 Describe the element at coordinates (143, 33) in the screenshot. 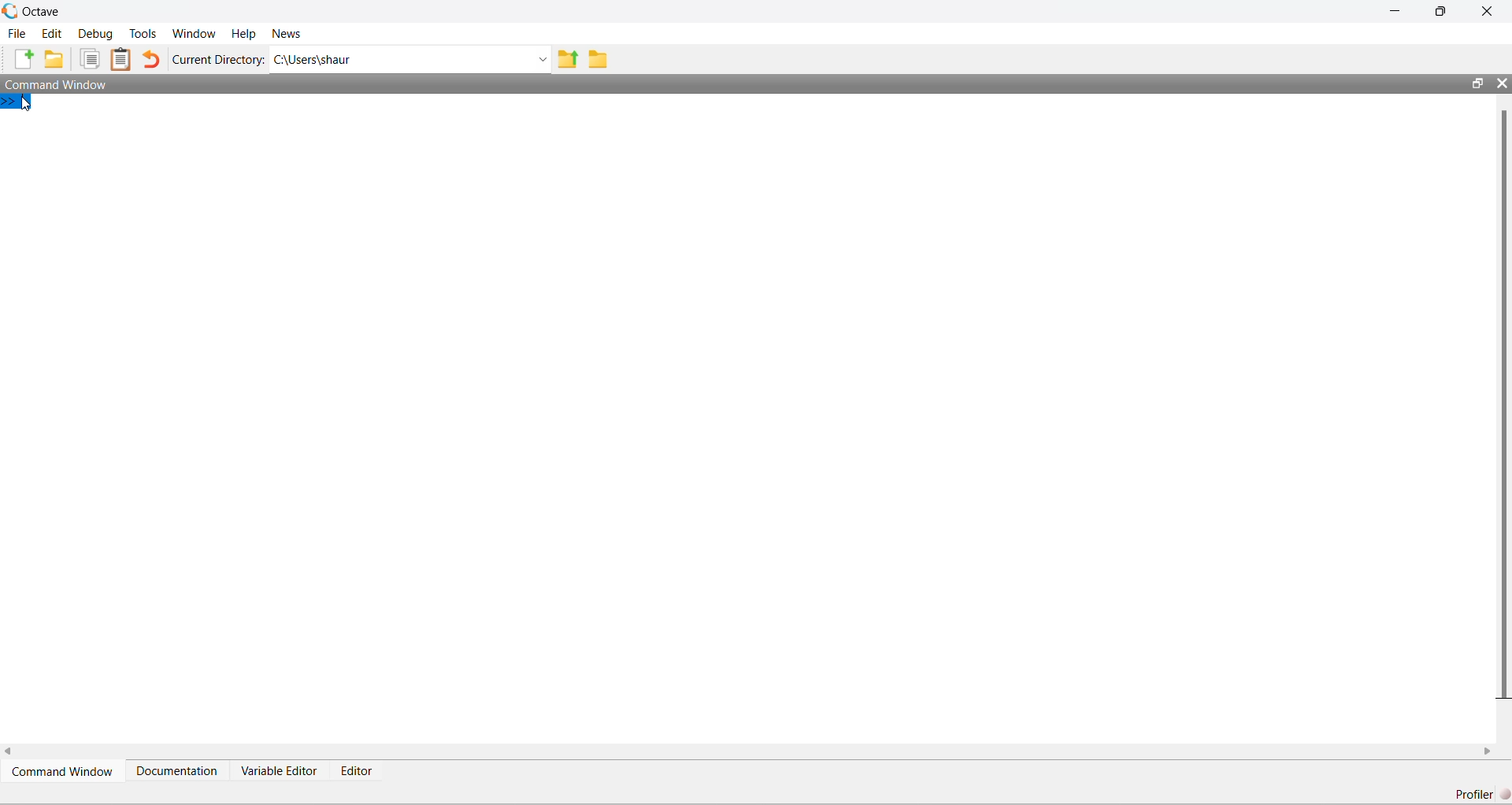

I see `Tools` at that location.